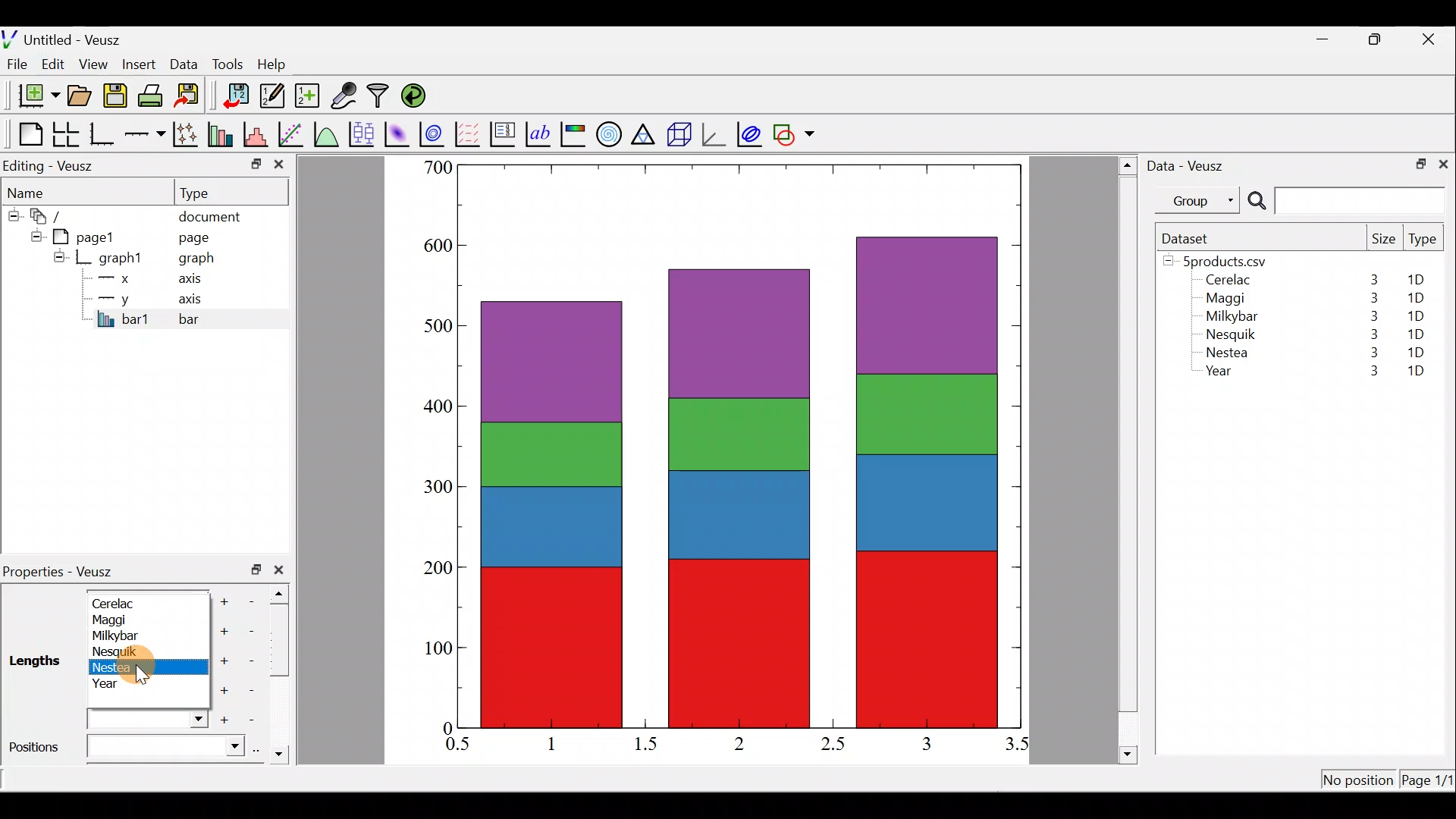 The image size is (1456, 819). I want to click on Export to graphics format, so click(192, 96).